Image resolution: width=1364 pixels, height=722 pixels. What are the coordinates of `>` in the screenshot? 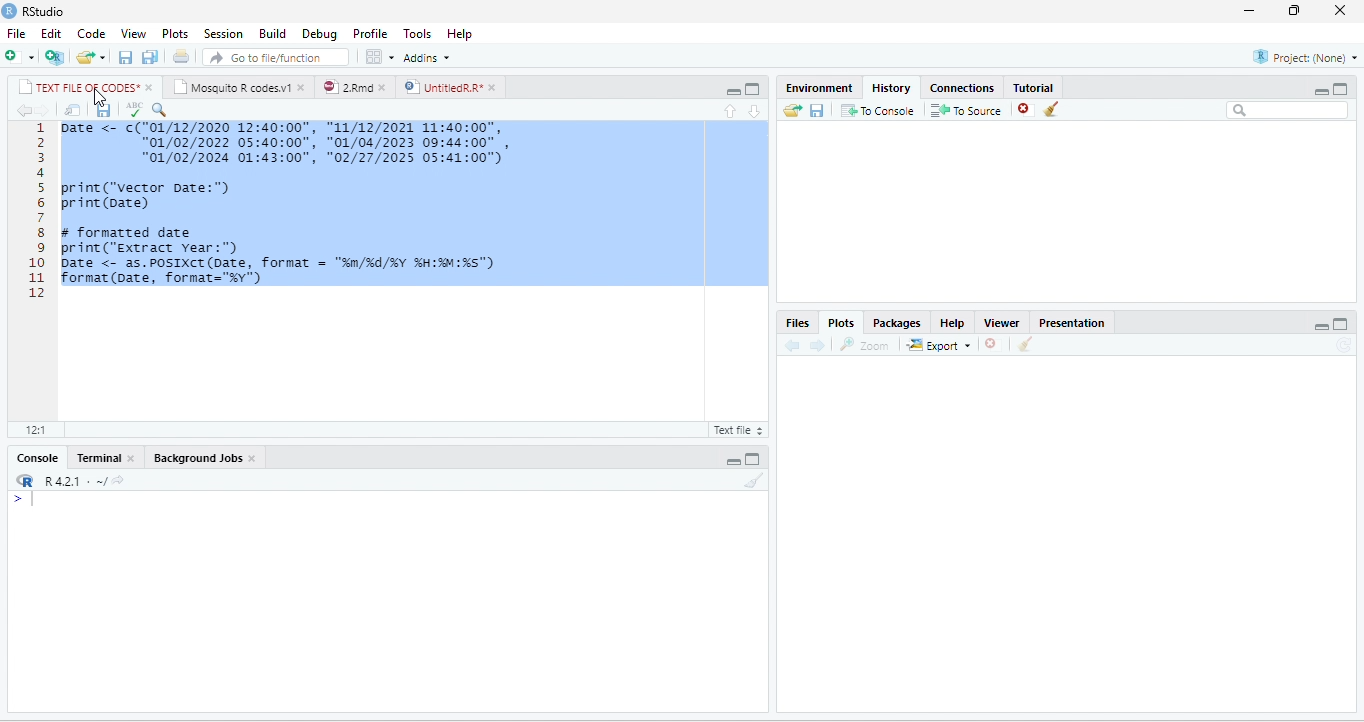 It's located at (24, 500).